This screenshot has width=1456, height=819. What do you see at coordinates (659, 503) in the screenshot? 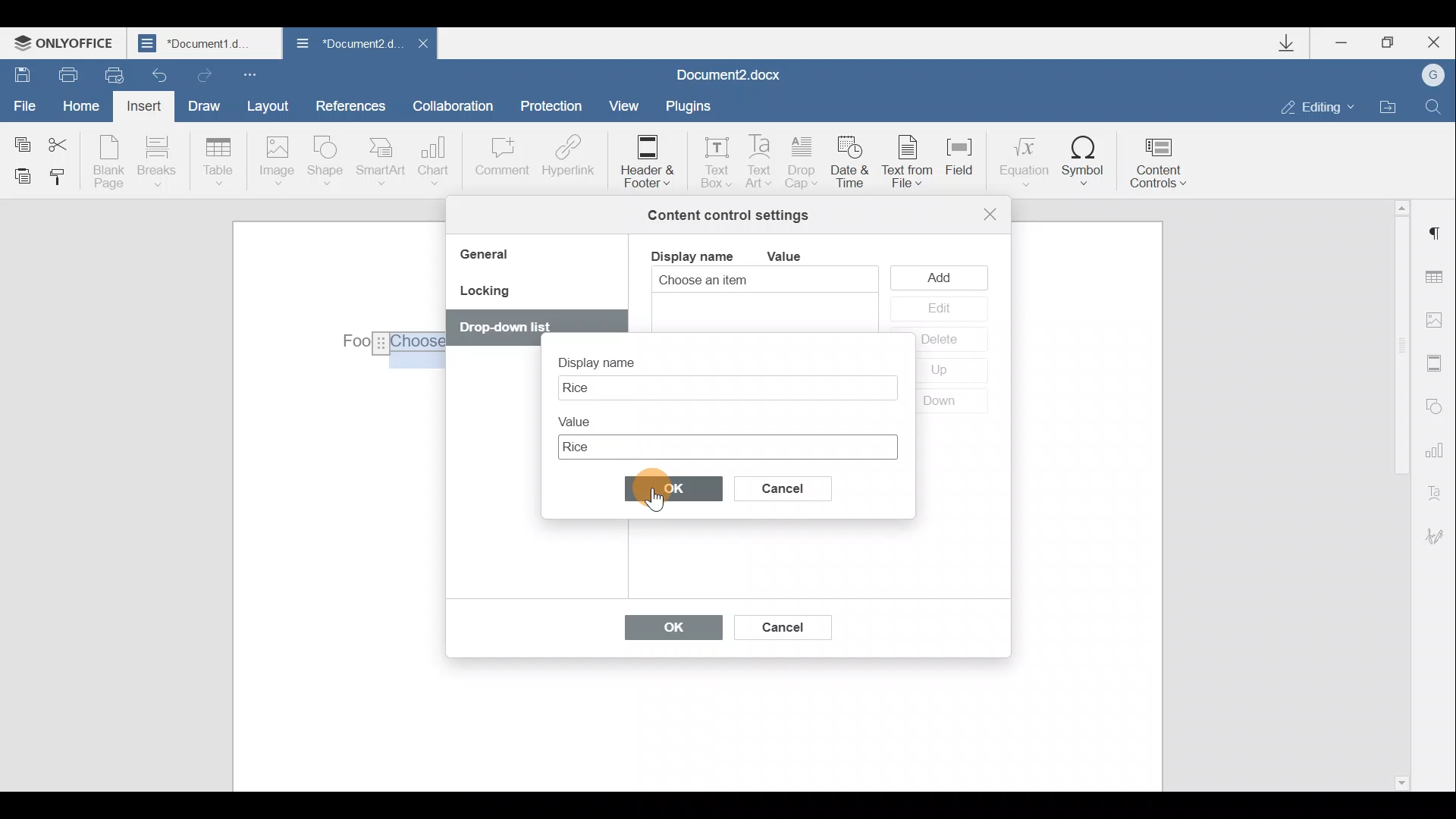
I see `Cursor` at bounding box center [659, 503].